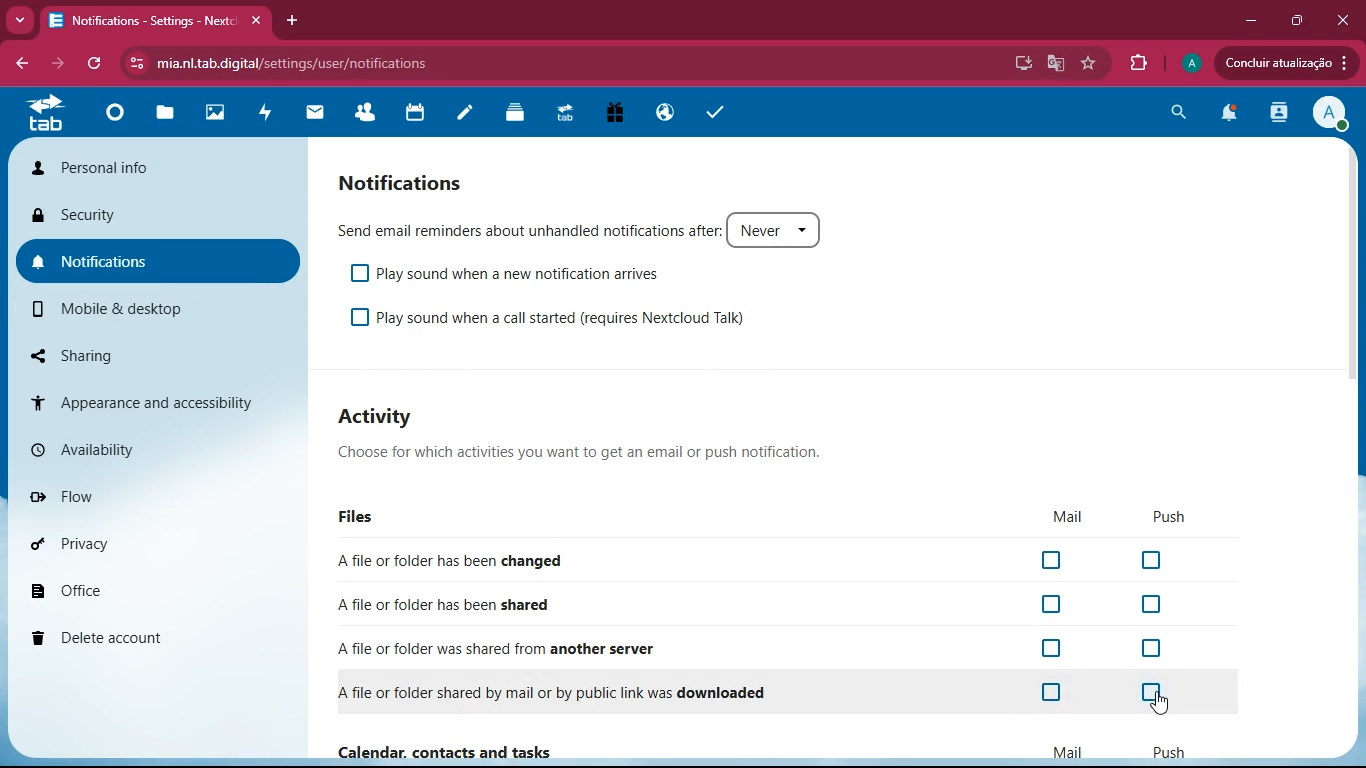 The width and height of the screenshot is (1366, 768). I want to click on Afile or folder has been changed, so click(461, 560).